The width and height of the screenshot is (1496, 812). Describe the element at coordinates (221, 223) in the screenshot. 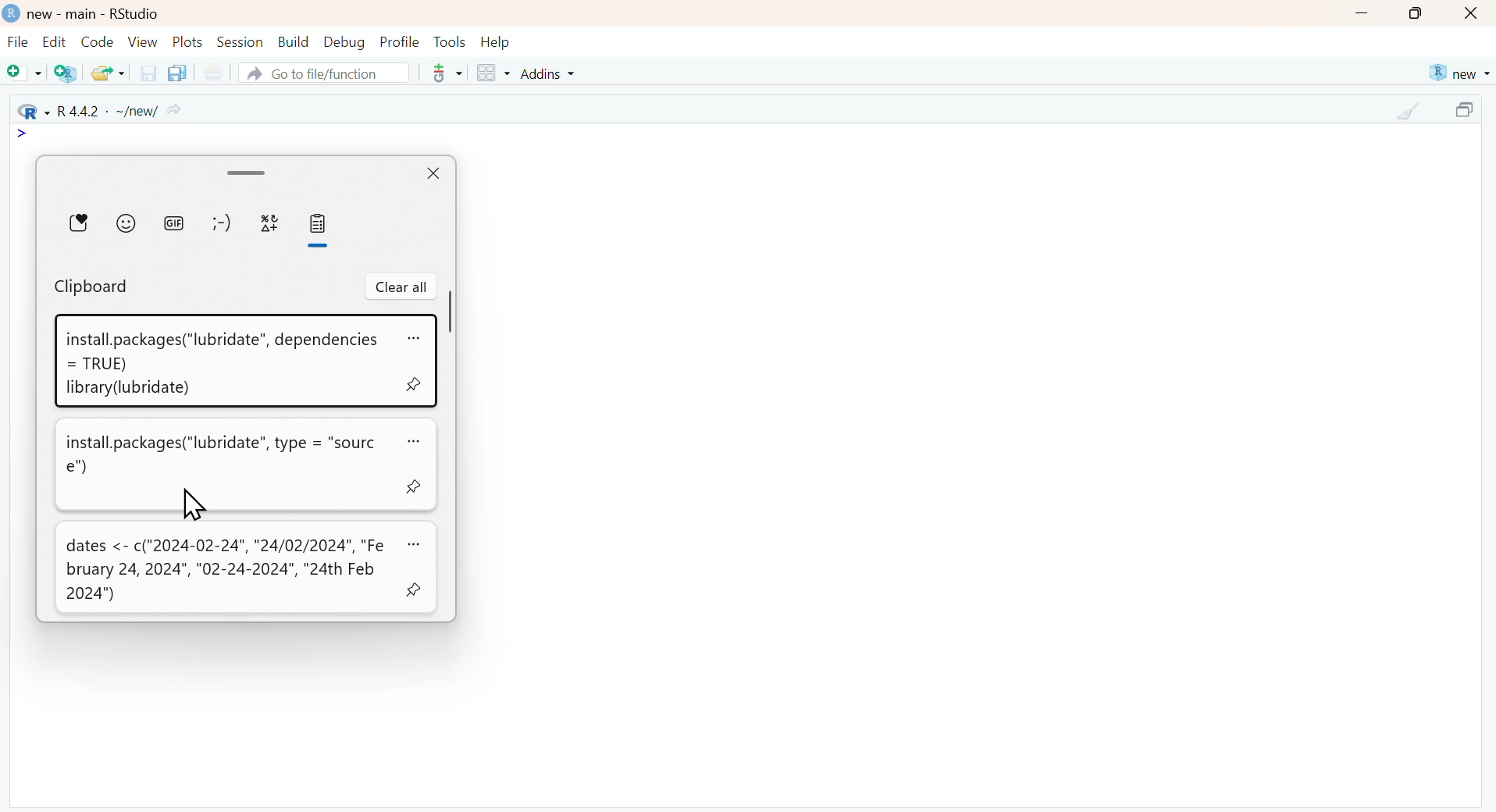

I see `Emoticon` at that location.